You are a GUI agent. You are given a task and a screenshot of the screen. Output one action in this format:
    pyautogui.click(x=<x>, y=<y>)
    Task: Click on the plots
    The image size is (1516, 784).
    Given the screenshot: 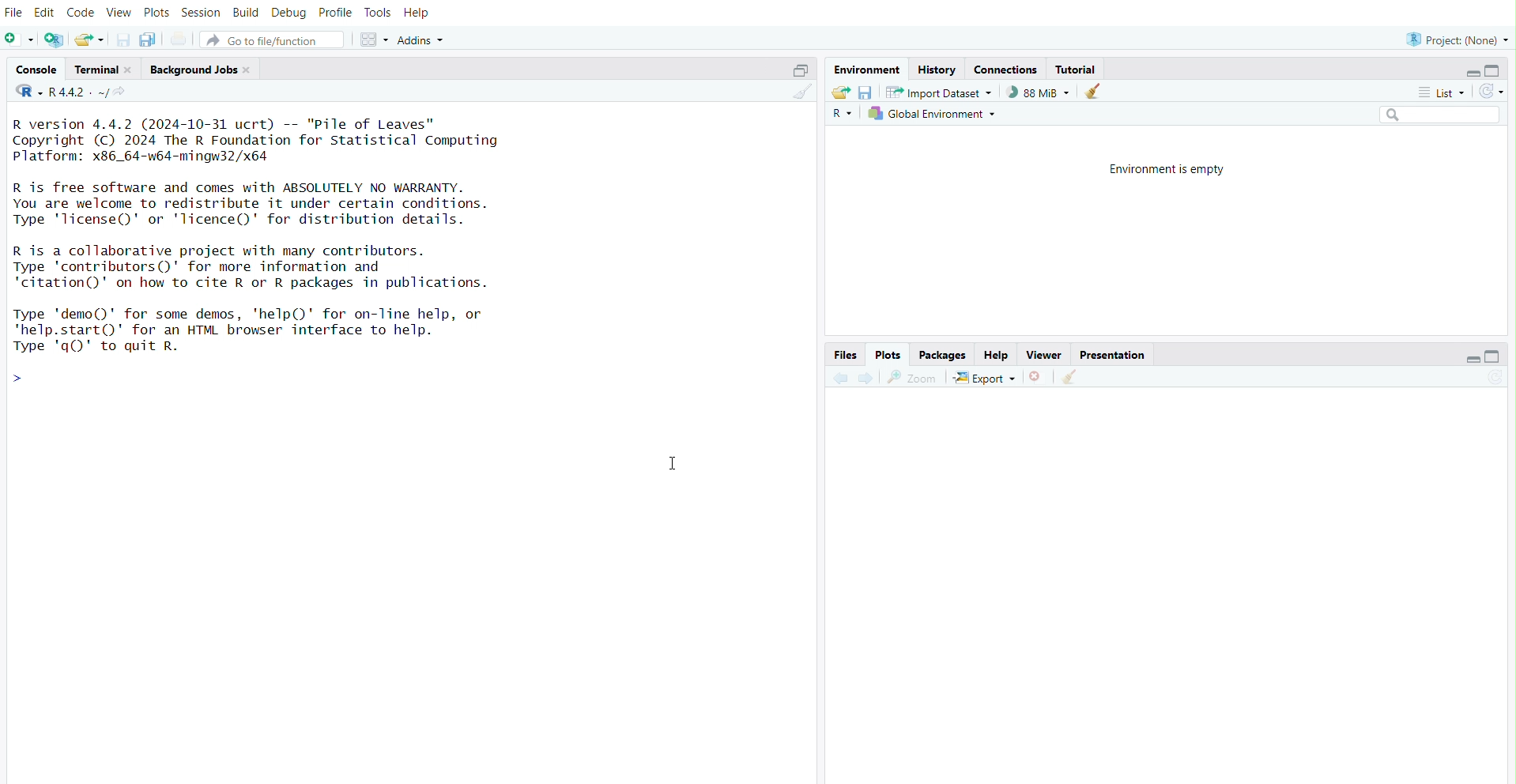 What is the action you would take?
    pyautogui.click(x=889, y=355)
    